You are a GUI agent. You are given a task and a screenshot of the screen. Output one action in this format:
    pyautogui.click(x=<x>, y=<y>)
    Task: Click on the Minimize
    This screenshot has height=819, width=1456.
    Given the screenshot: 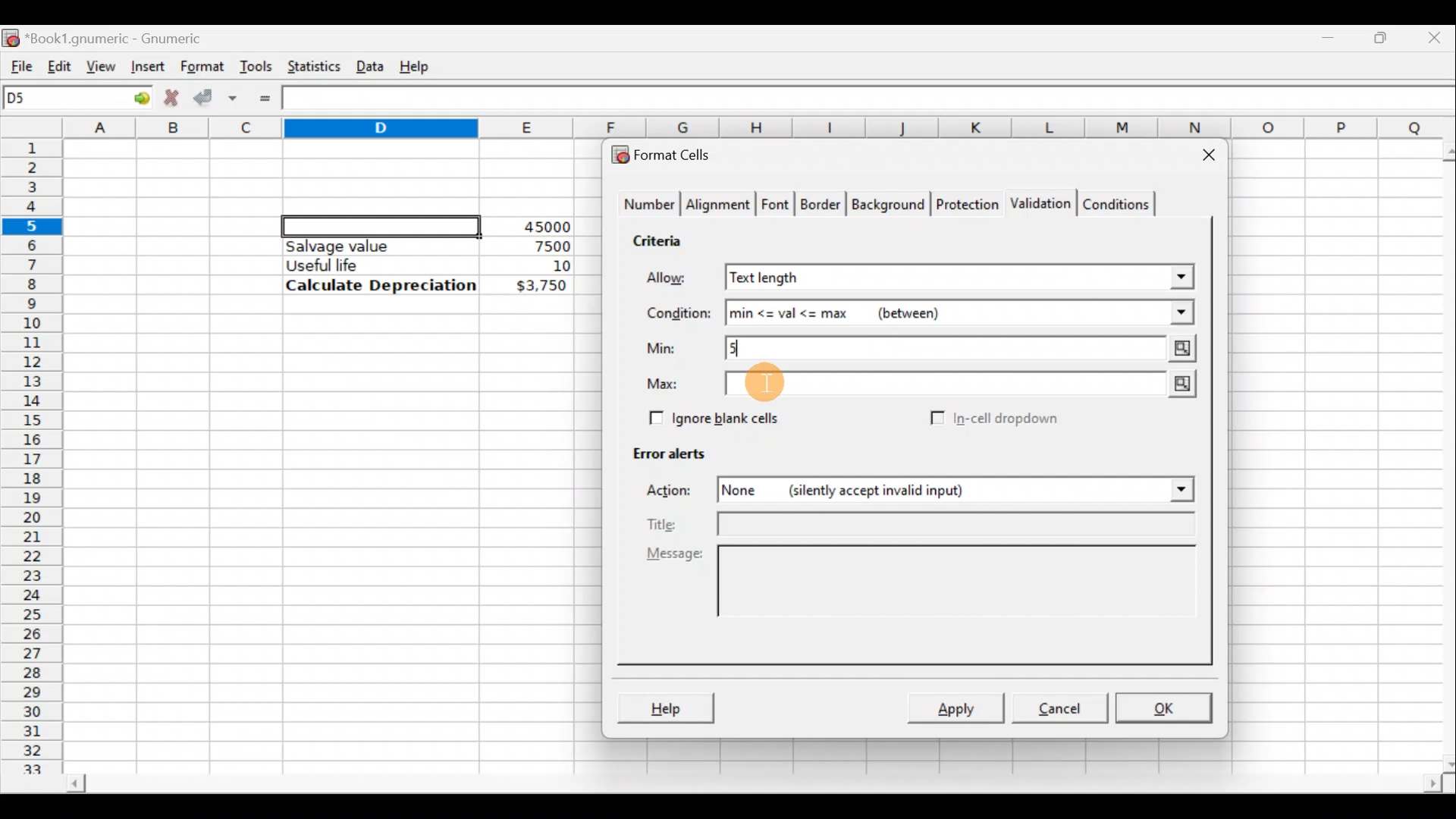 What is the action you would take?
    pyautogui.click(x=1332, y=34)
    